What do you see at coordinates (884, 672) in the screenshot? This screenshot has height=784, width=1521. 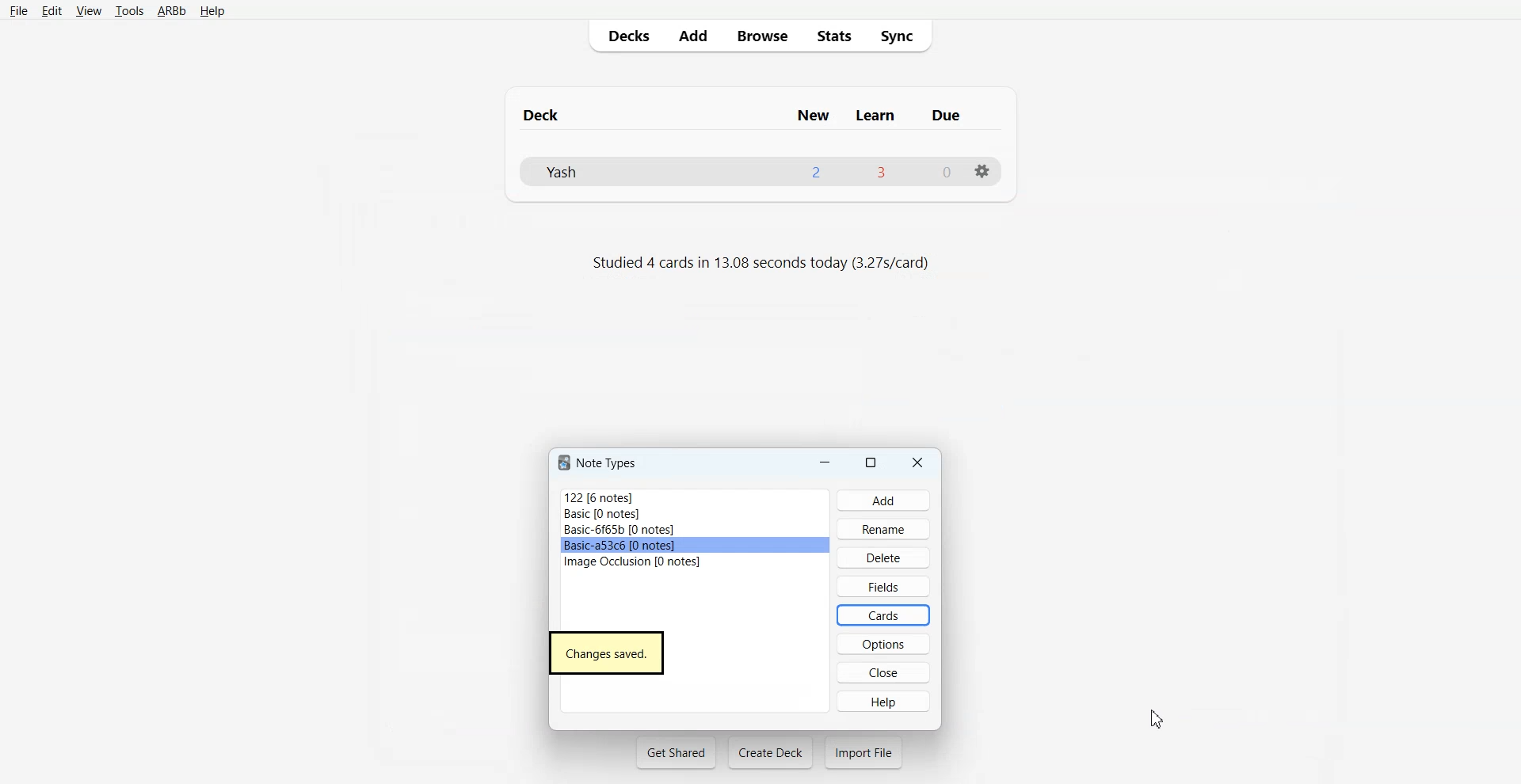 I see `Close` at bounding box center [884, 672].